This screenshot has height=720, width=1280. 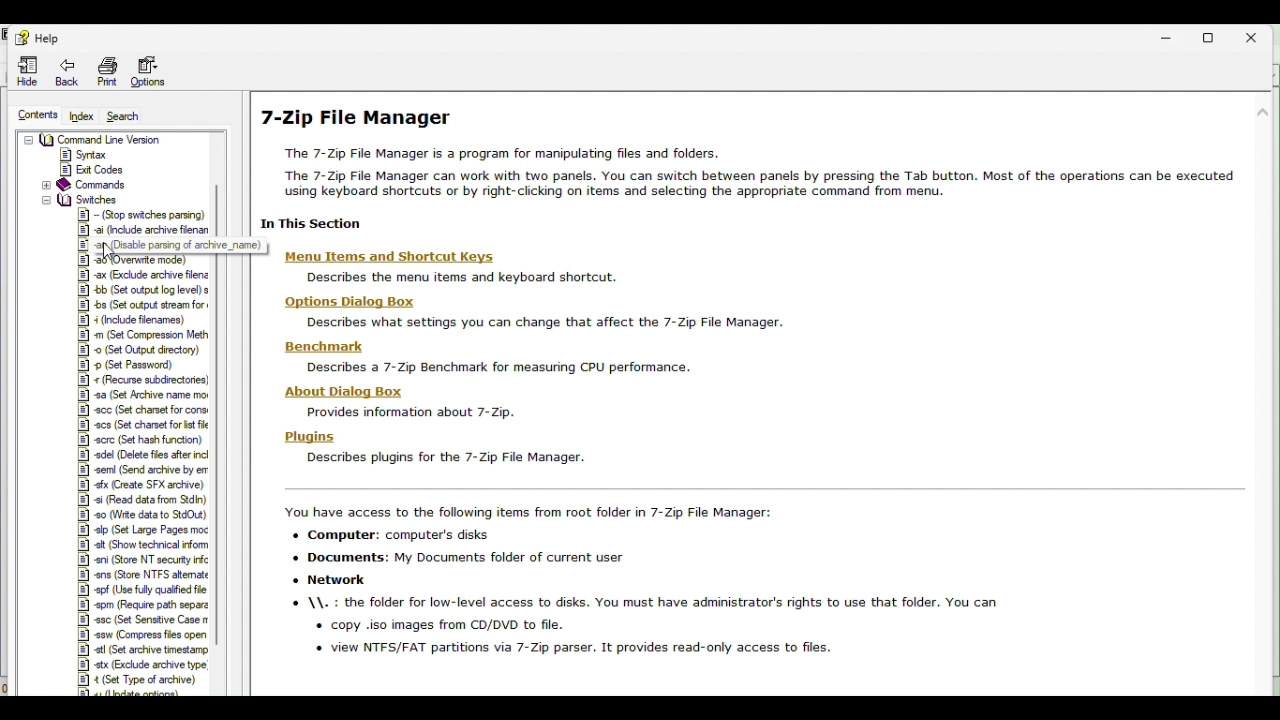 What do you see at coordinates (1211, 37) in the screenshot?
I see `Restore` at bounding box center [1211, 37].